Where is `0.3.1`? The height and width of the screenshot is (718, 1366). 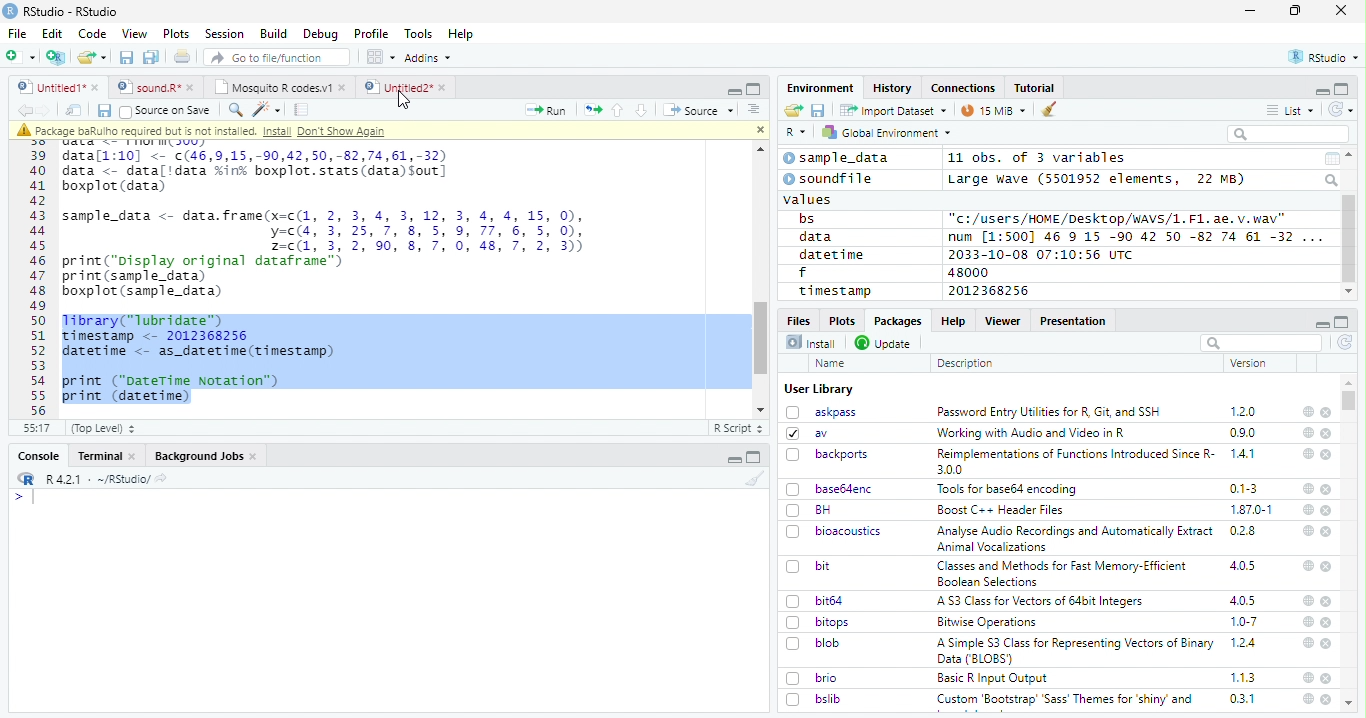 0.3.1 is located at coordinates (1242, 698).